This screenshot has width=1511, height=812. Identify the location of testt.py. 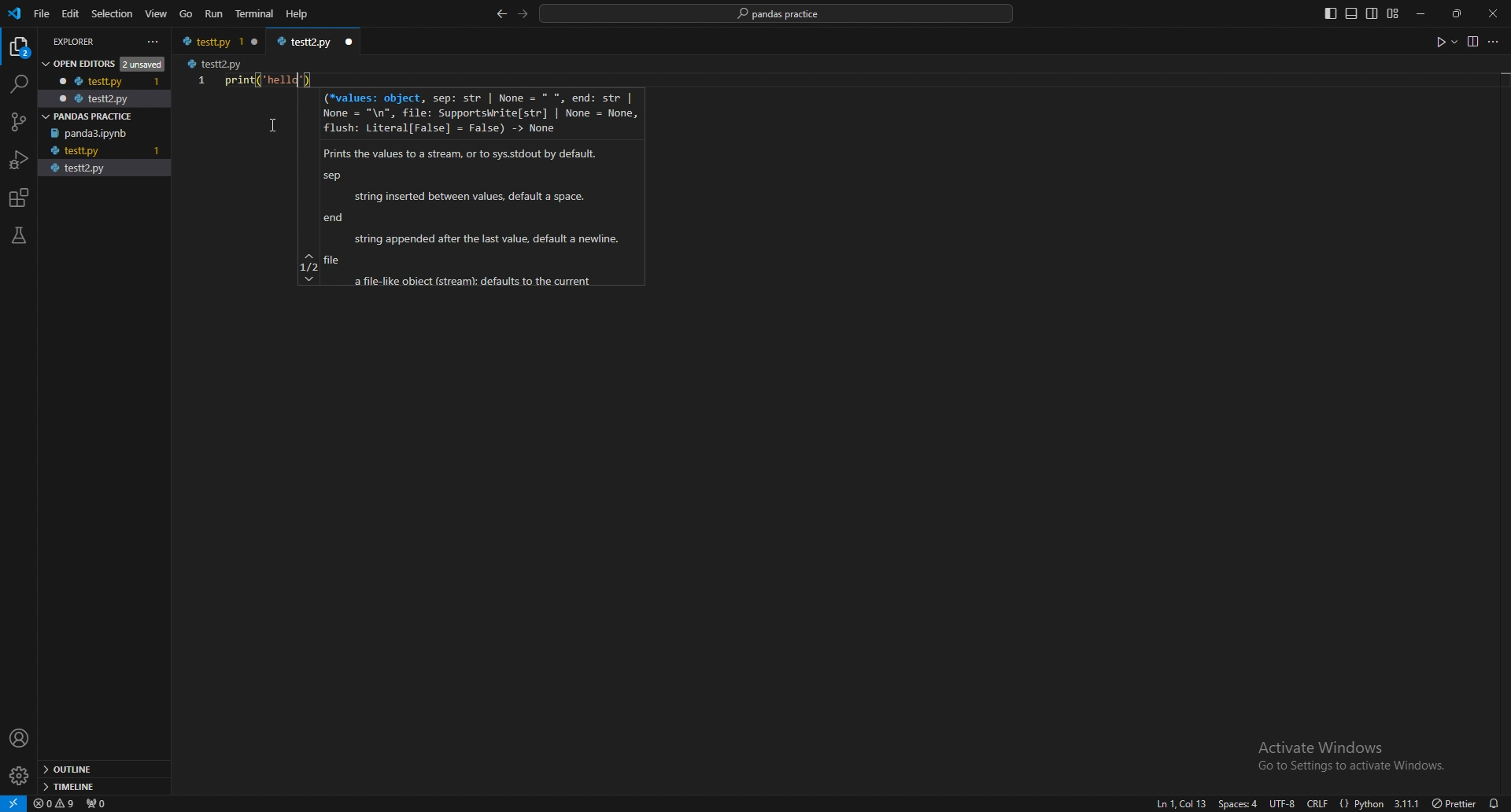
(95, 80).